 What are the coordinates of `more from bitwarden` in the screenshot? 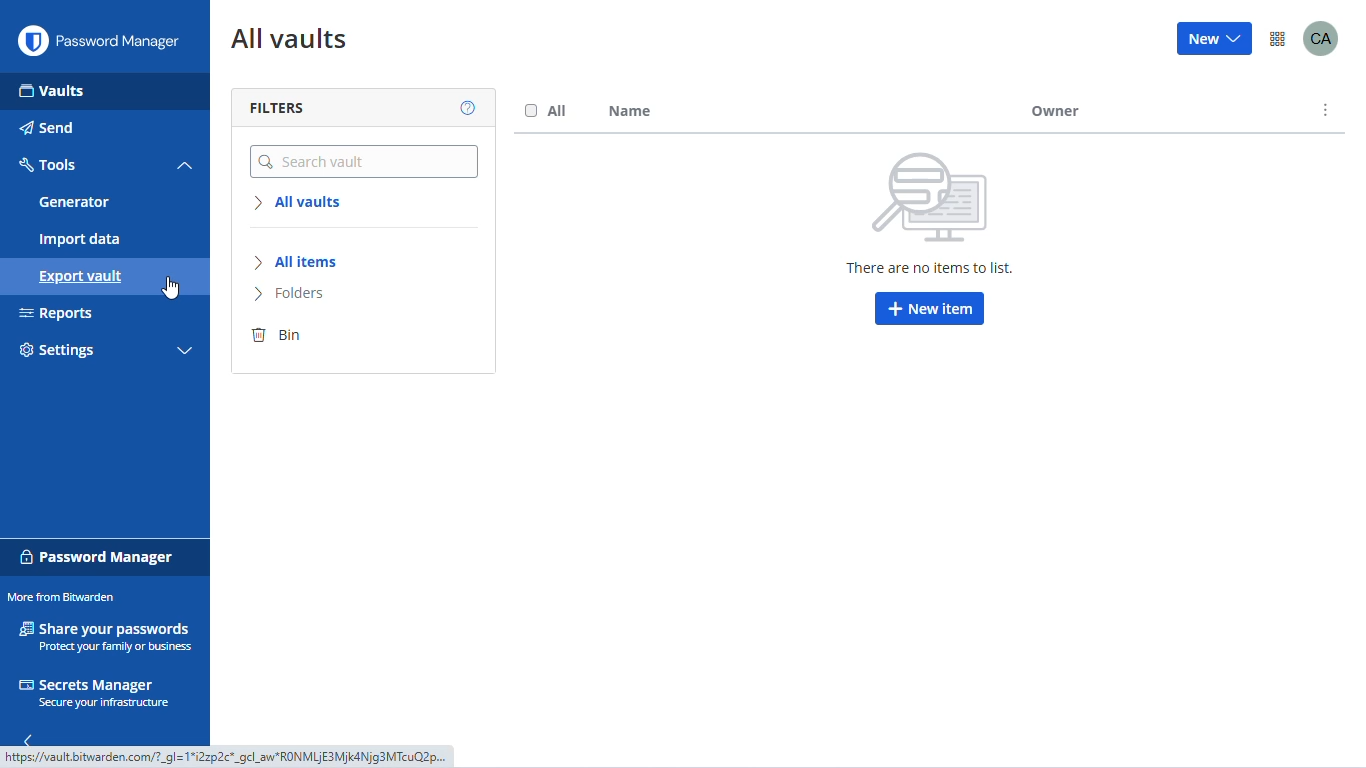 It's located at (63, 597).